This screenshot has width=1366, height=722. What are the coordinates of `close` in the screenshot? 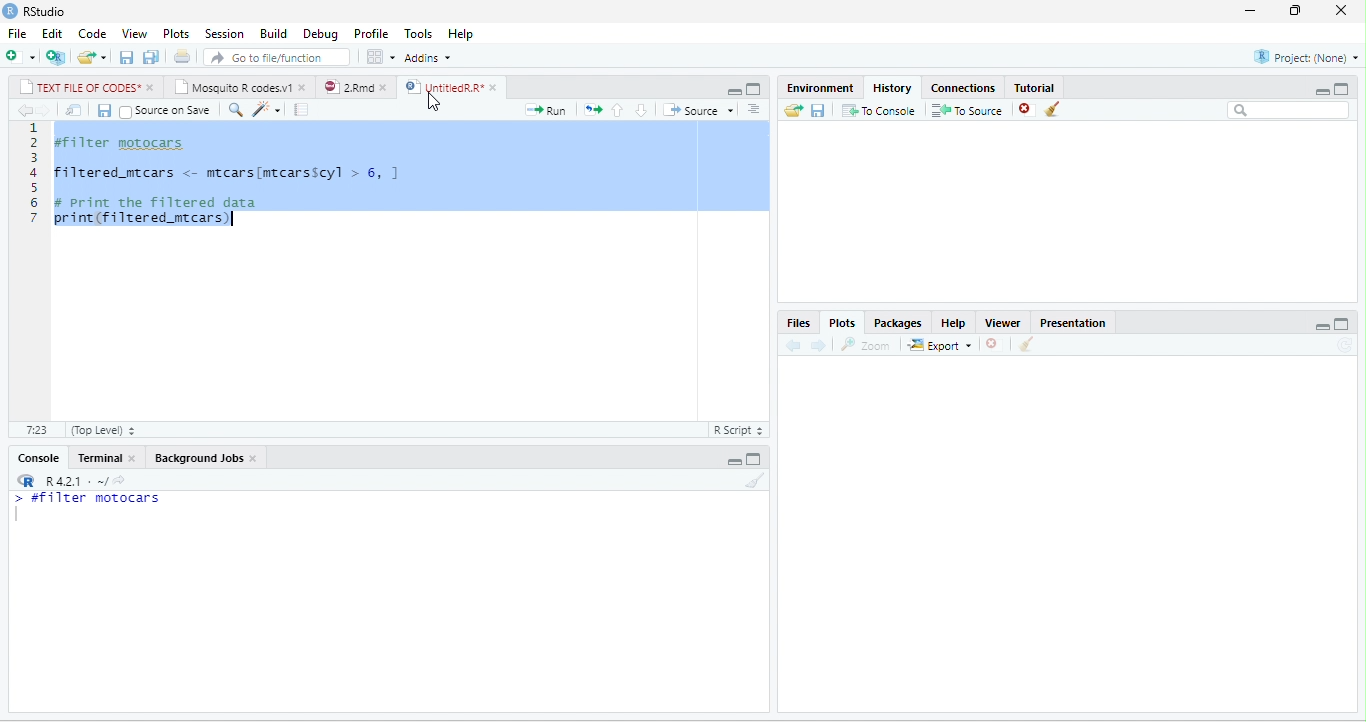 It's located at (496, 88).